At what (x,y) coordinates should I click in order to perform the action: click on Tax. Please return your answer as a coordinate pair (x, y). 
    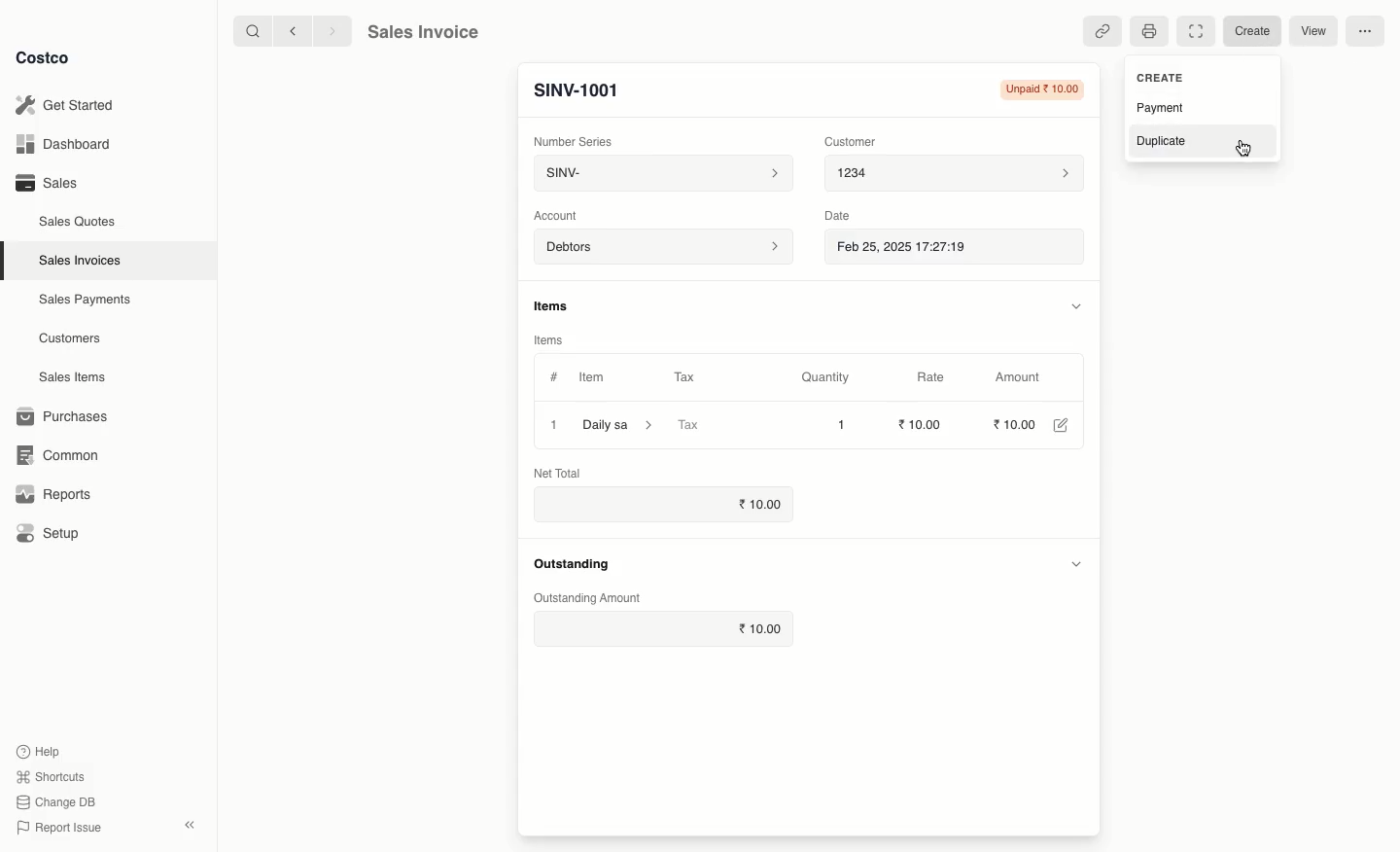
    Looking at the image, I should click on (690, 423).